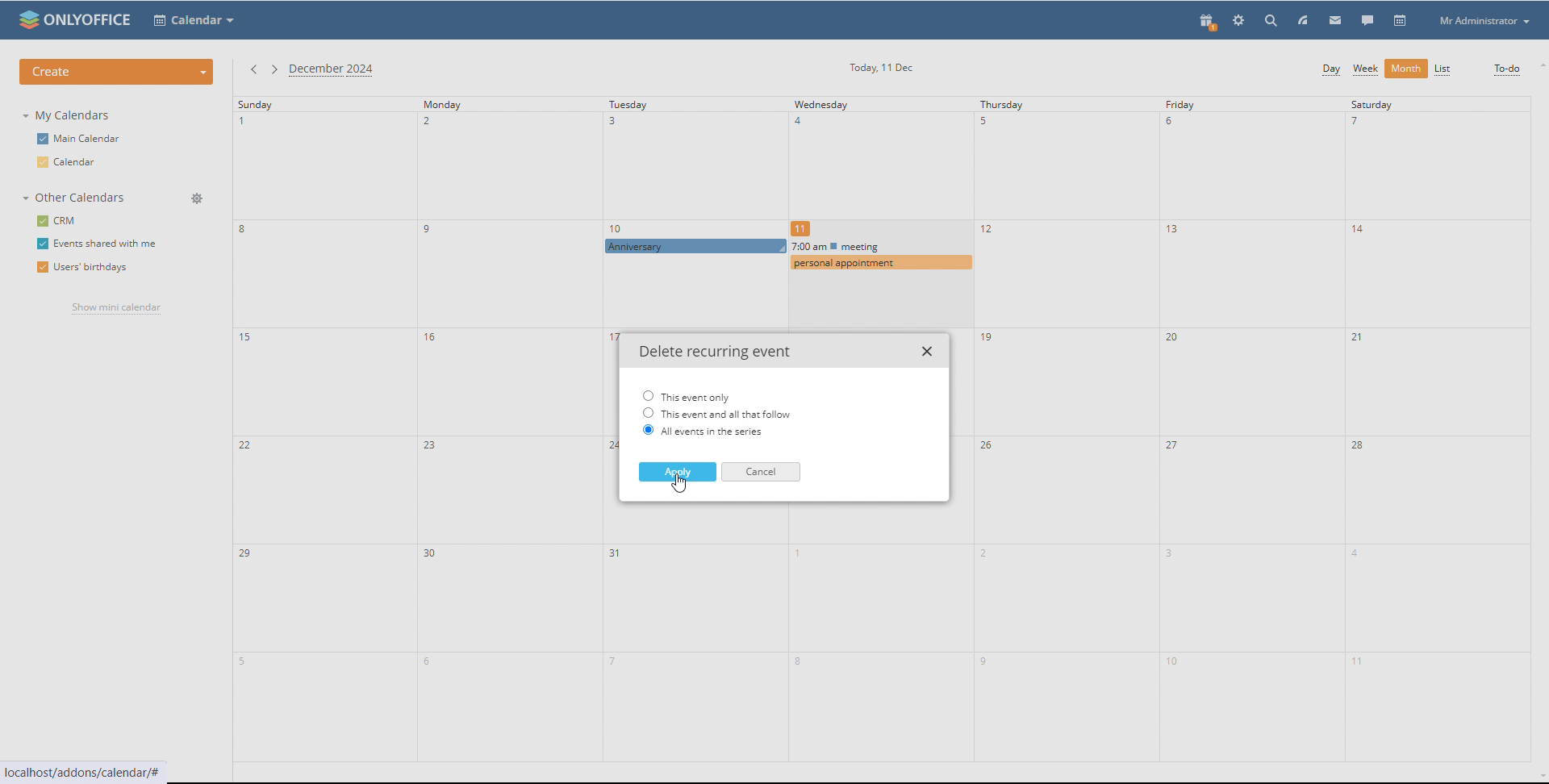  What do you see at coordinates (1401, 21) in the screenshot?
I see `calendar` at bounding box center [1401, 21].